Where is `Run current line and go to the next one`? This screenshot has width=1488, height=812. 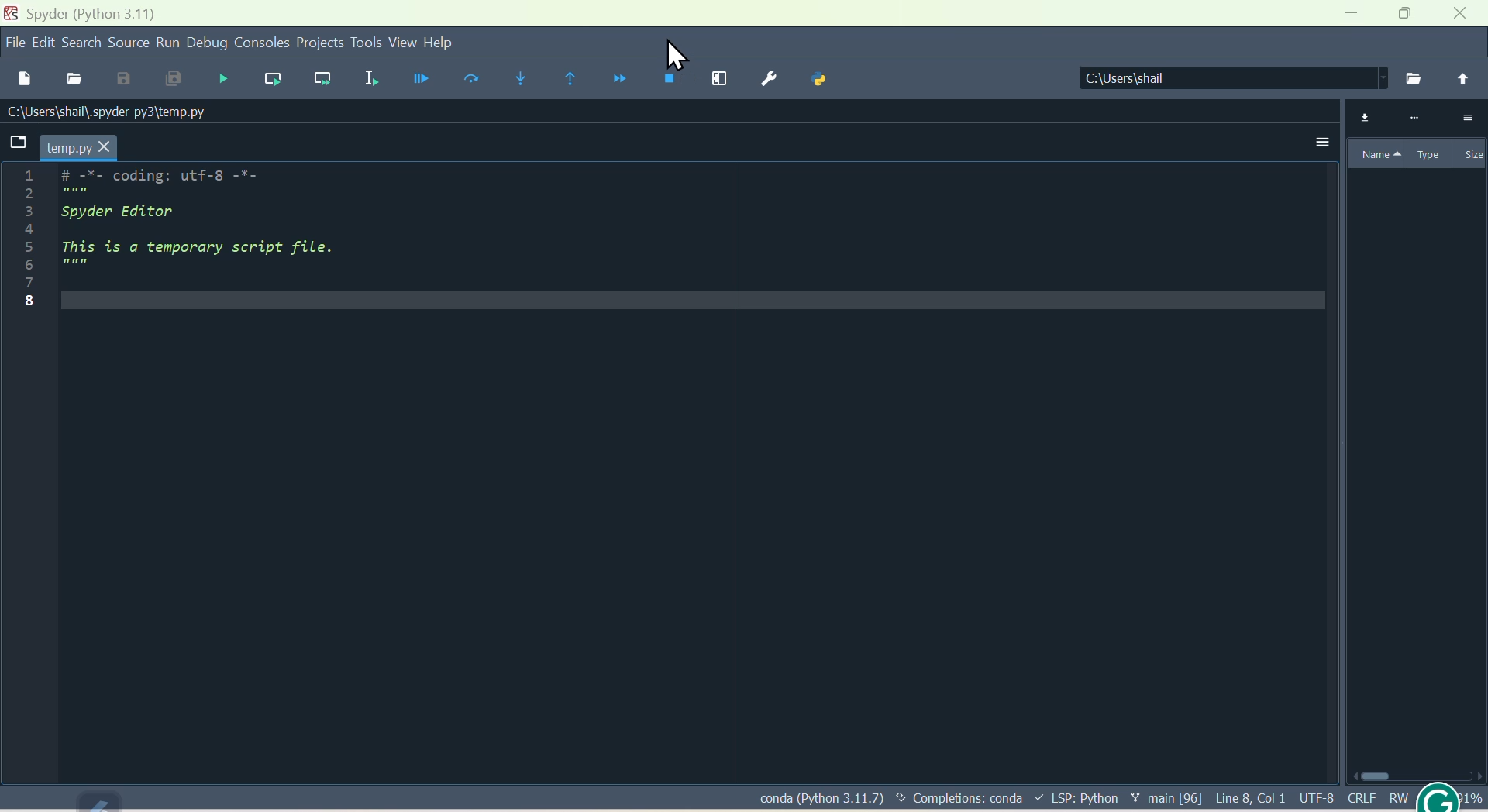 Run current line and go to the next one is located at coordinates (319, 77).